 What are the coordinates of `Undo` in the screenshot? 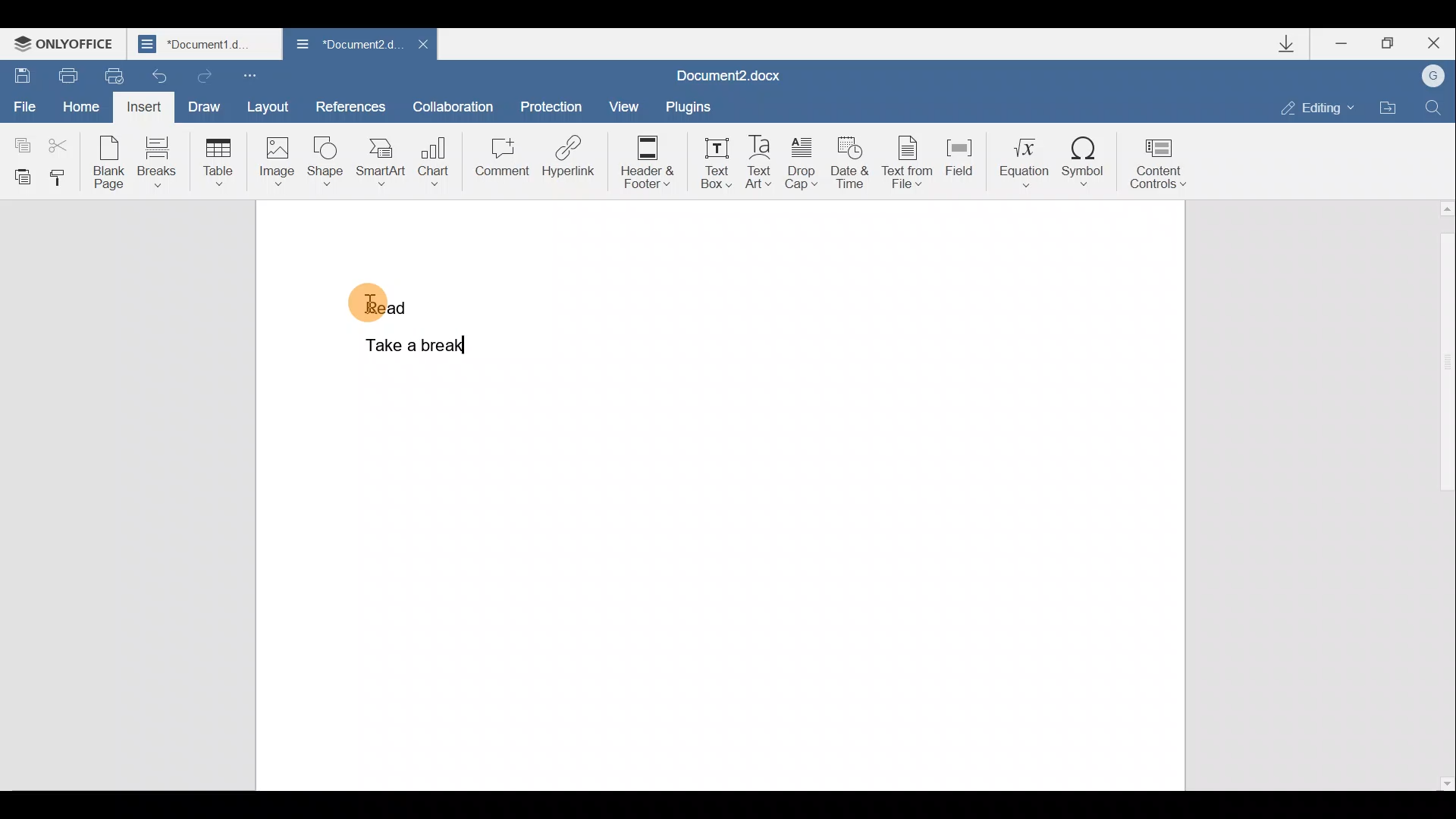 It's located at (155, 76).